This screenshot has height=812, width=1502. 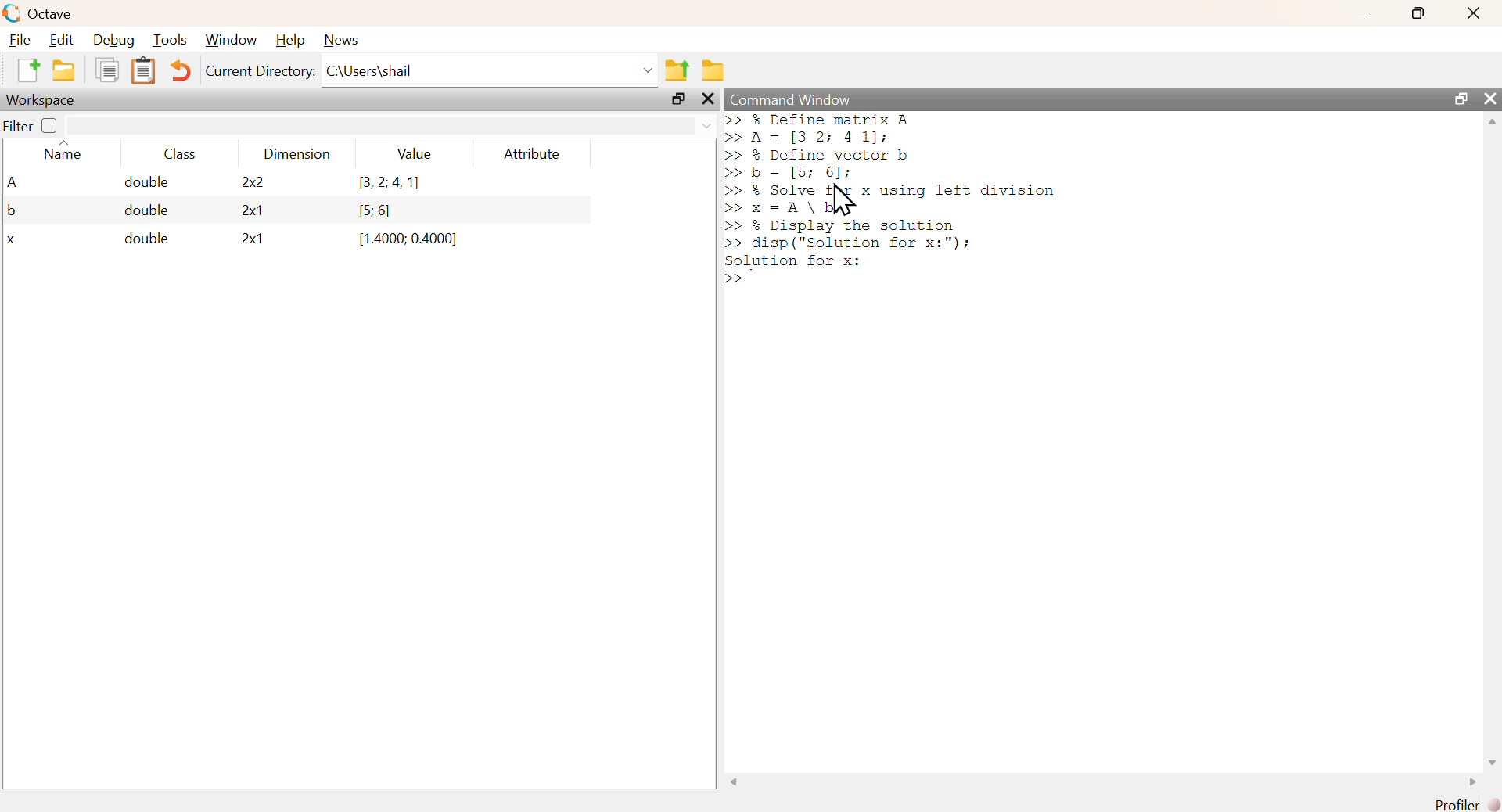 I want to click on name, so click(x=60, y=153).